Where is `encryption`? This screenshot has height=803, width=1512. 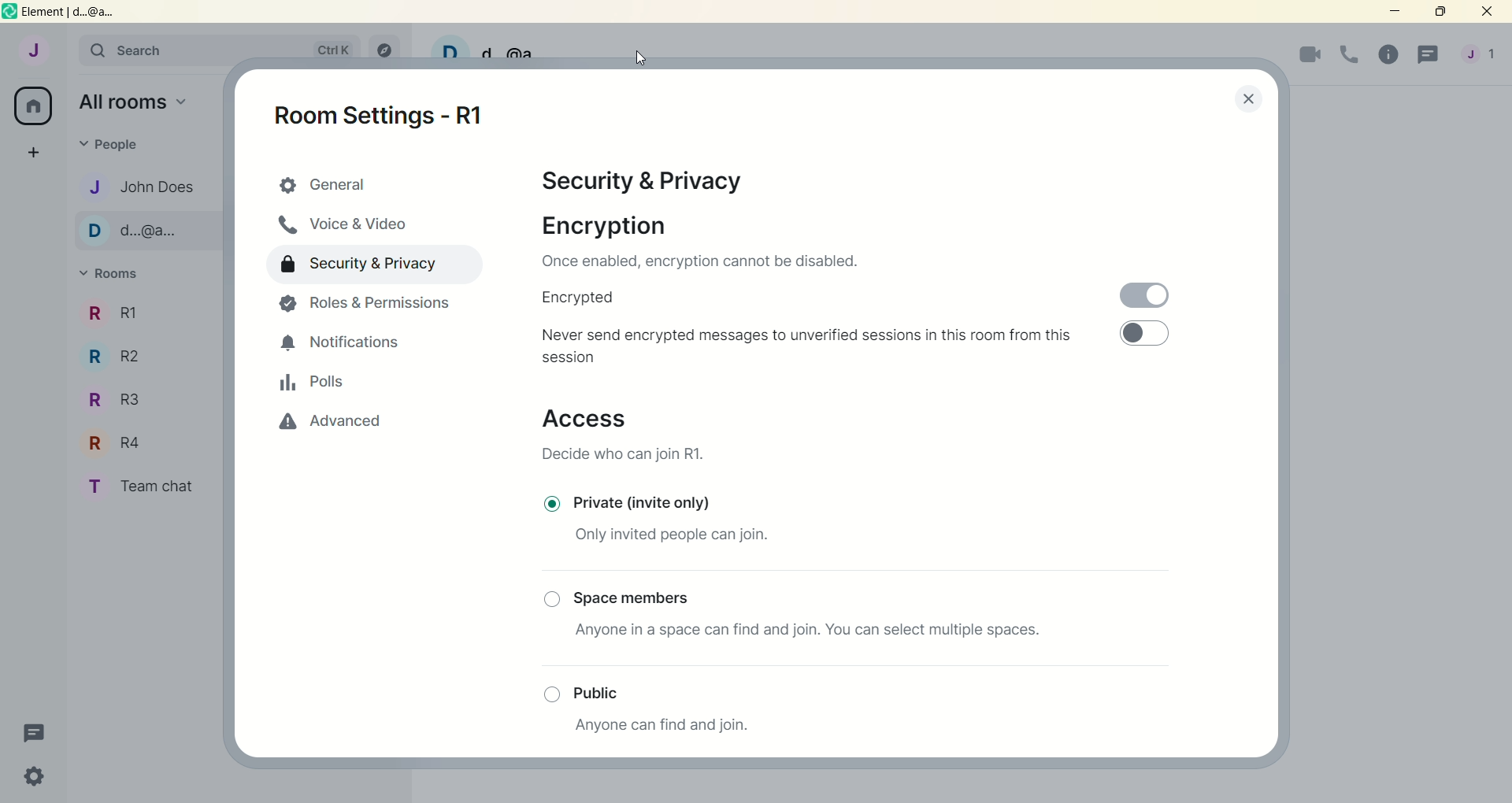 encryption is located at coordinates (599, 224).